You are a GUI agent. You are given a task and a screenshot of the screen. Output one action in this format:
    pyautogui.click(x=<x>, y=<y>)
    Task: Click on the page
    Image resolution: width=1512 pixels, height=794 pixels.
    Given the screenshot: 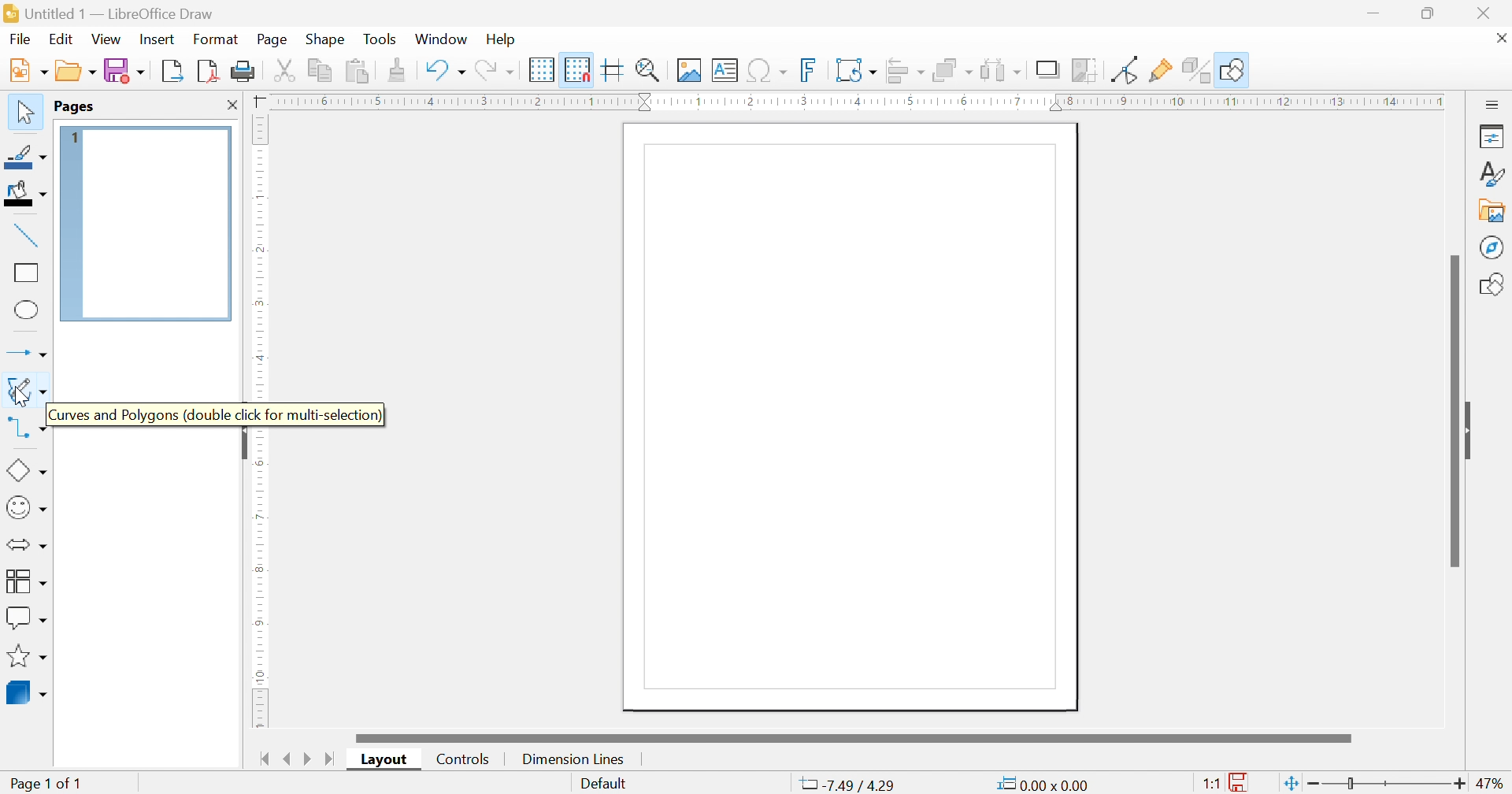 What is the action you would take?
    pyautogui.click(x=275, y=38)
    